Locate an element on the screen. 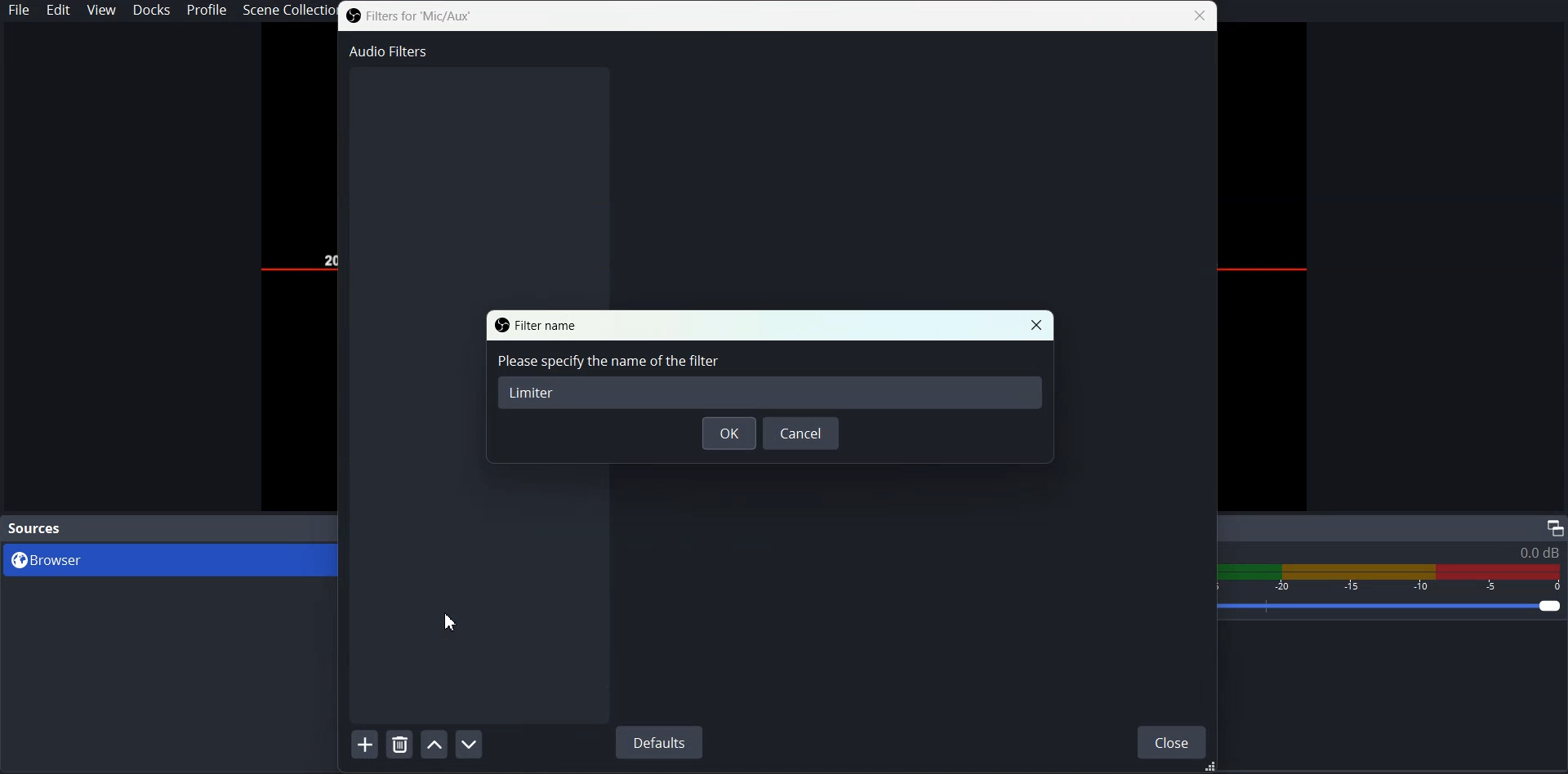 The width and height of the screenshot is (1568, 774). Close is located at coordinates (1172, 741).